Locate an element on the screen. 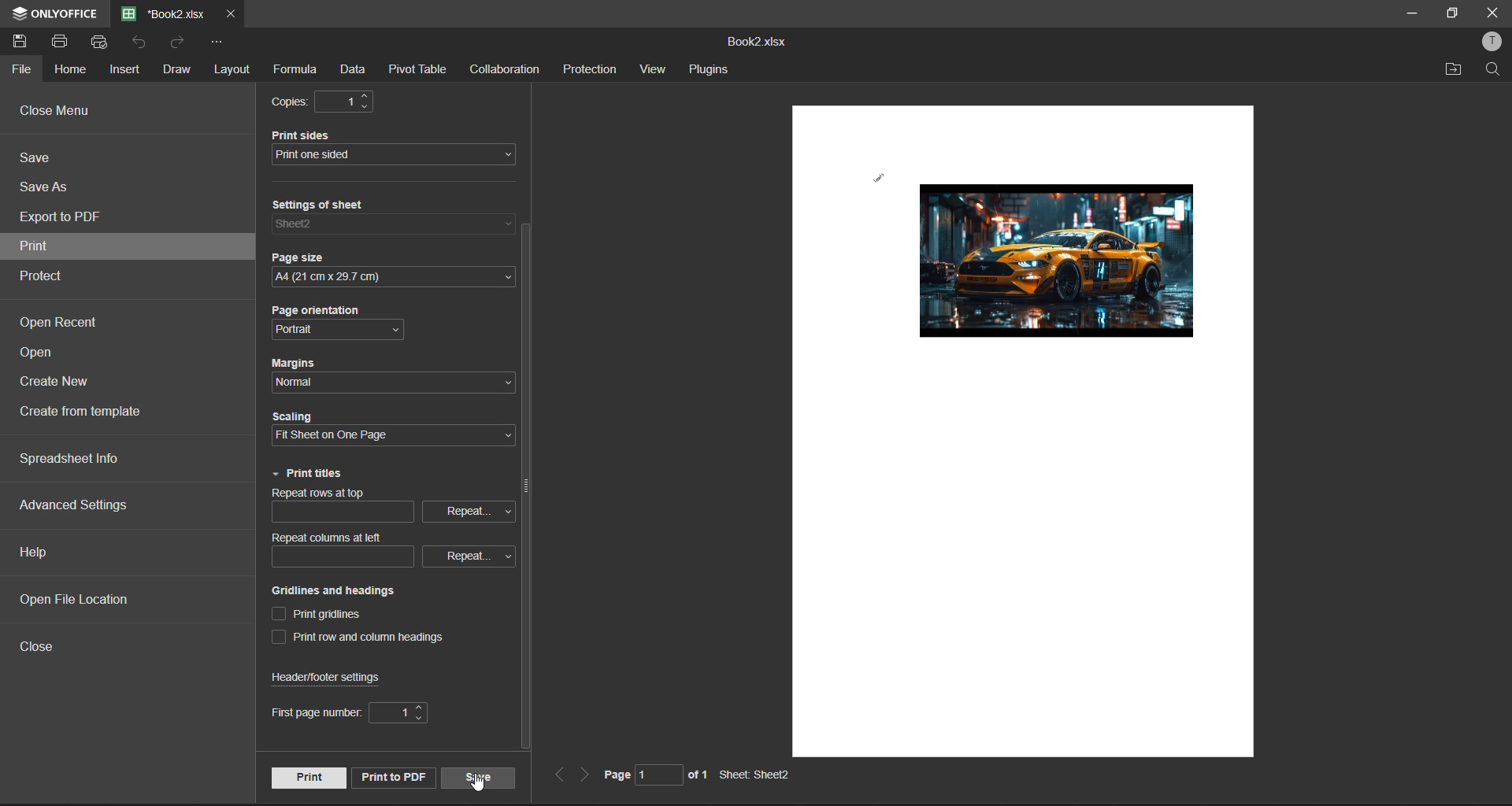 This screenshot has width=1512, height=806. save is located at coordinates (43, 160).